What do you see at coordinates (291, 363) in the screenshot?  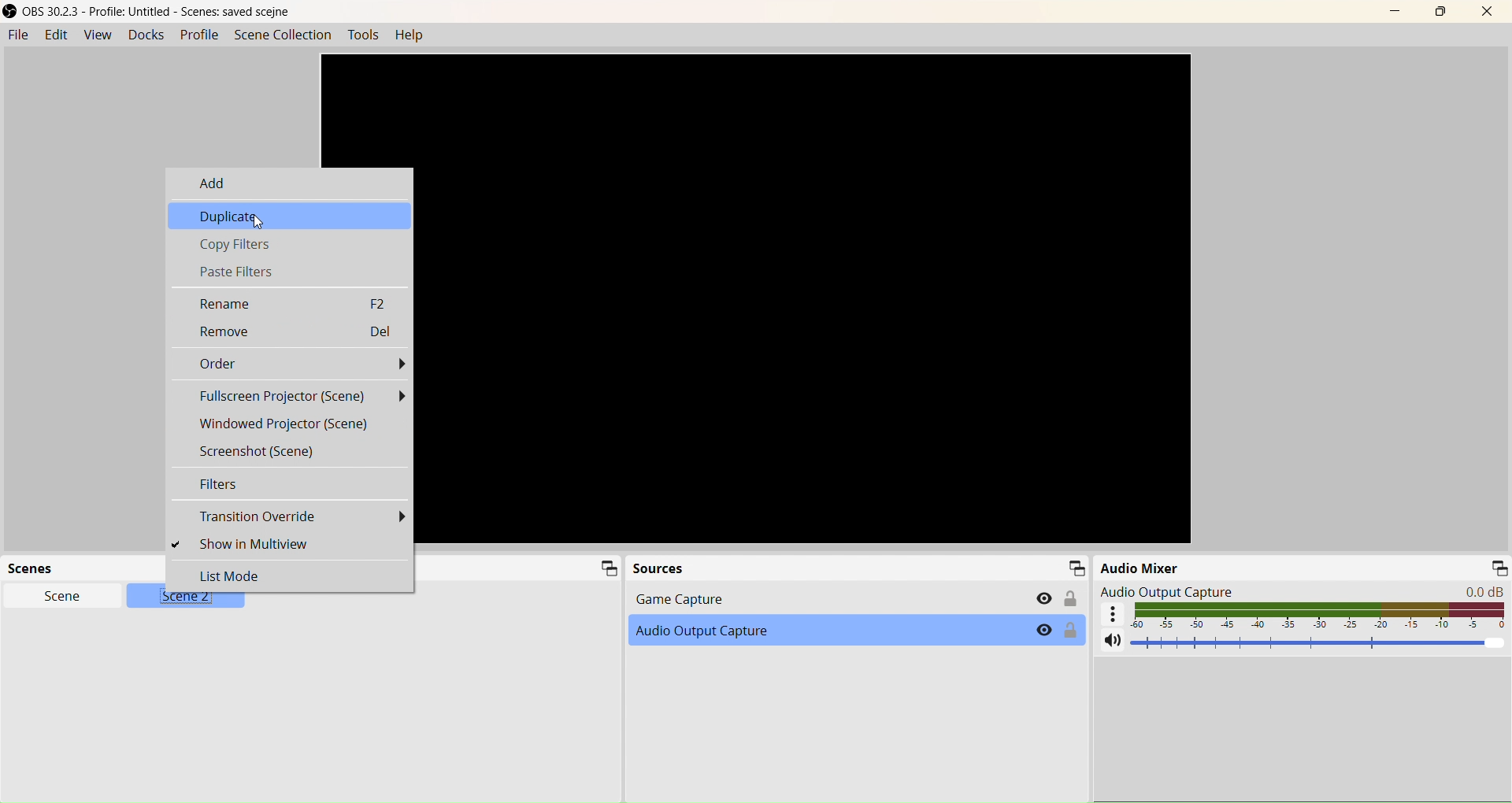 I see `Order` at bounding box center [291, 363].